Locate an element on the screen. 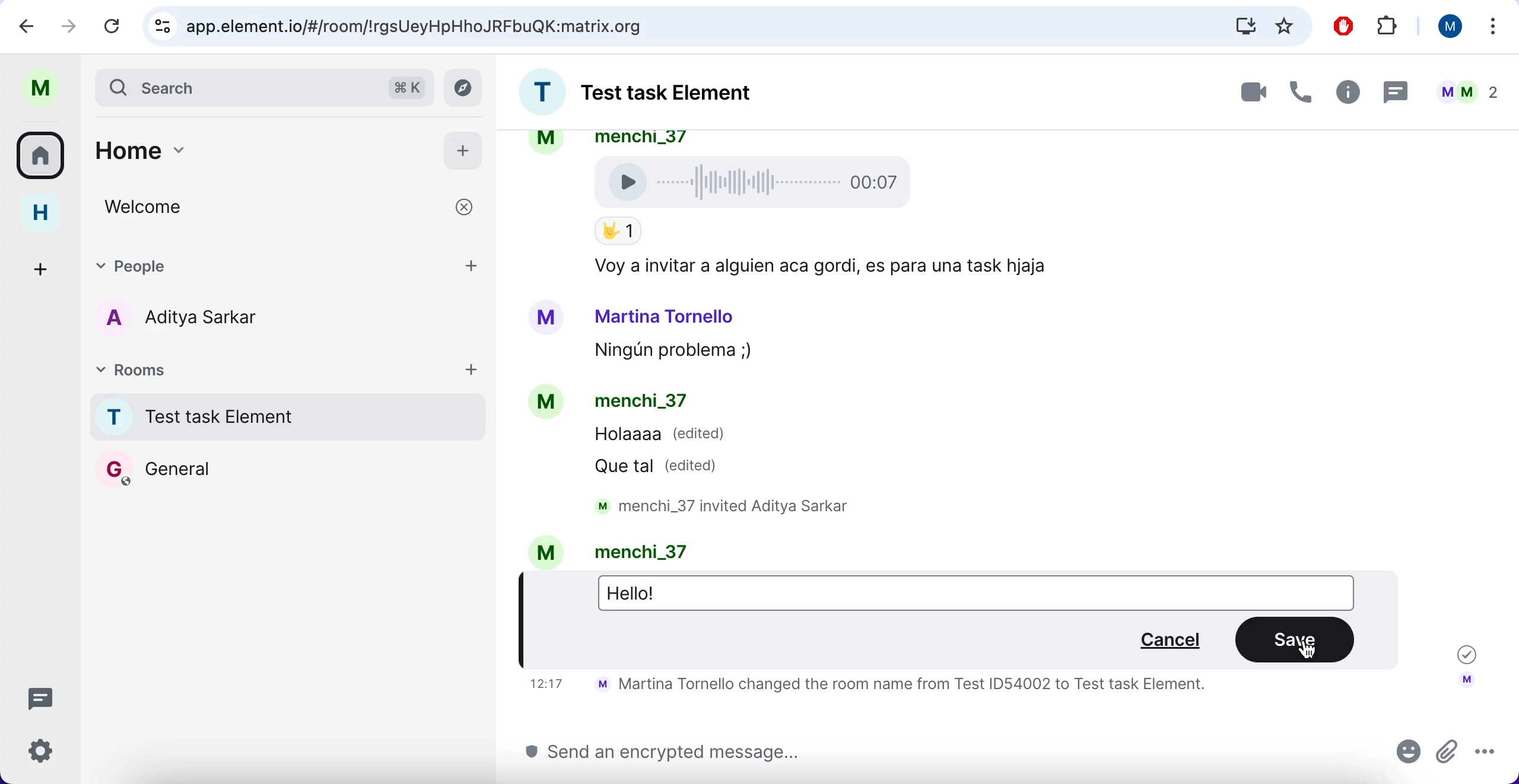 Image resolution: width=1519 pixels, height=784 pixels. add rooms is located at coordinates (475, 371).